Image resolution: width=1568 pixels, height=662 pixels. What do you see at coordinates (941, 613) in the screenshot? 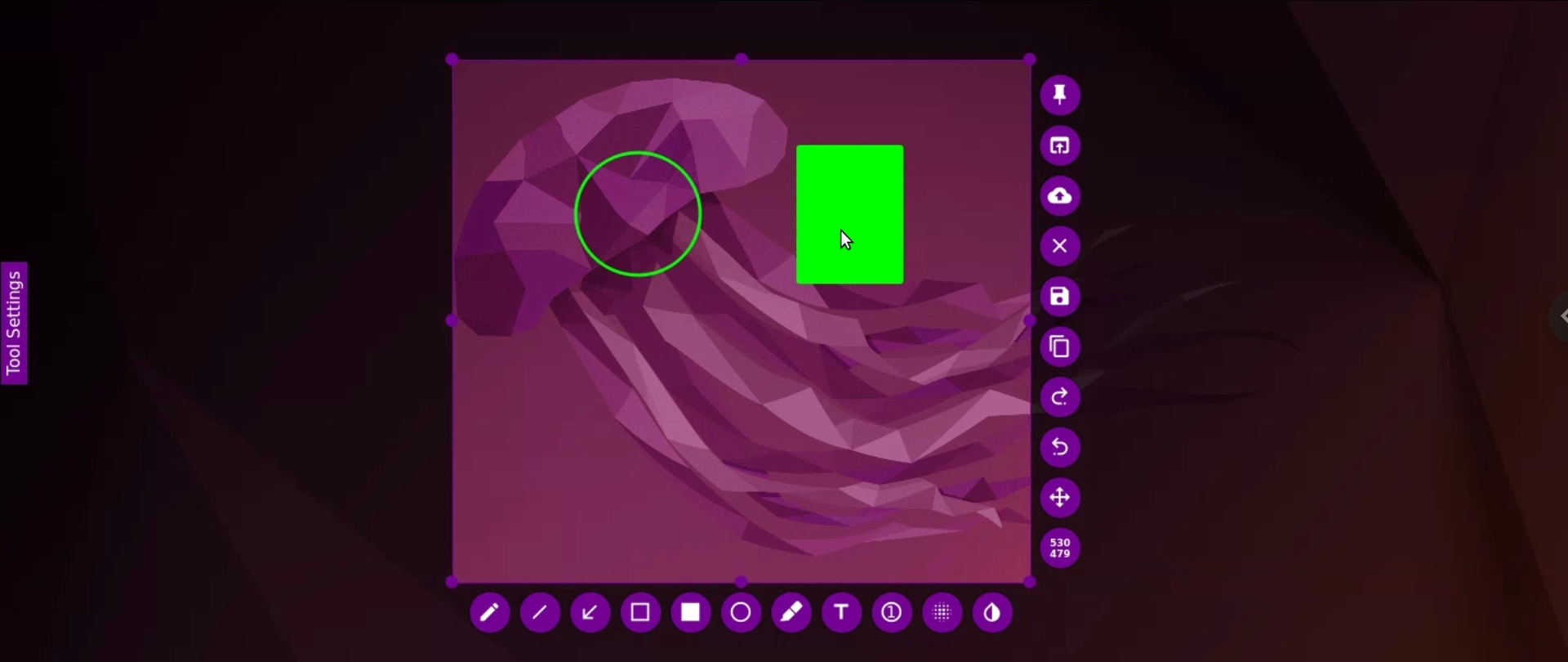
I see `pixelate` at bounding box center [941, 613].